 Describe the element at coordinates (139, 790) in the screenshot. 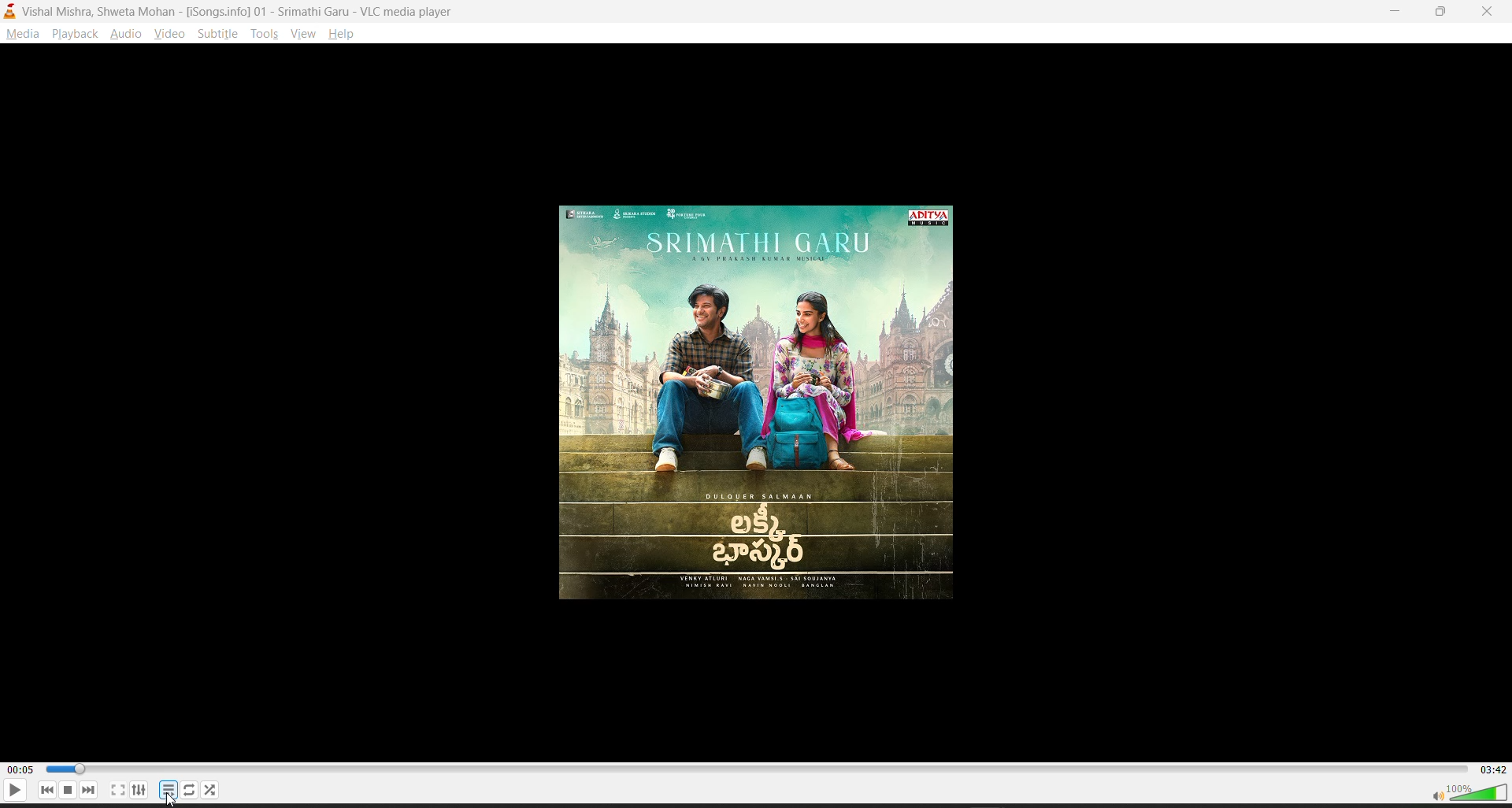

I see `settings` at that location.